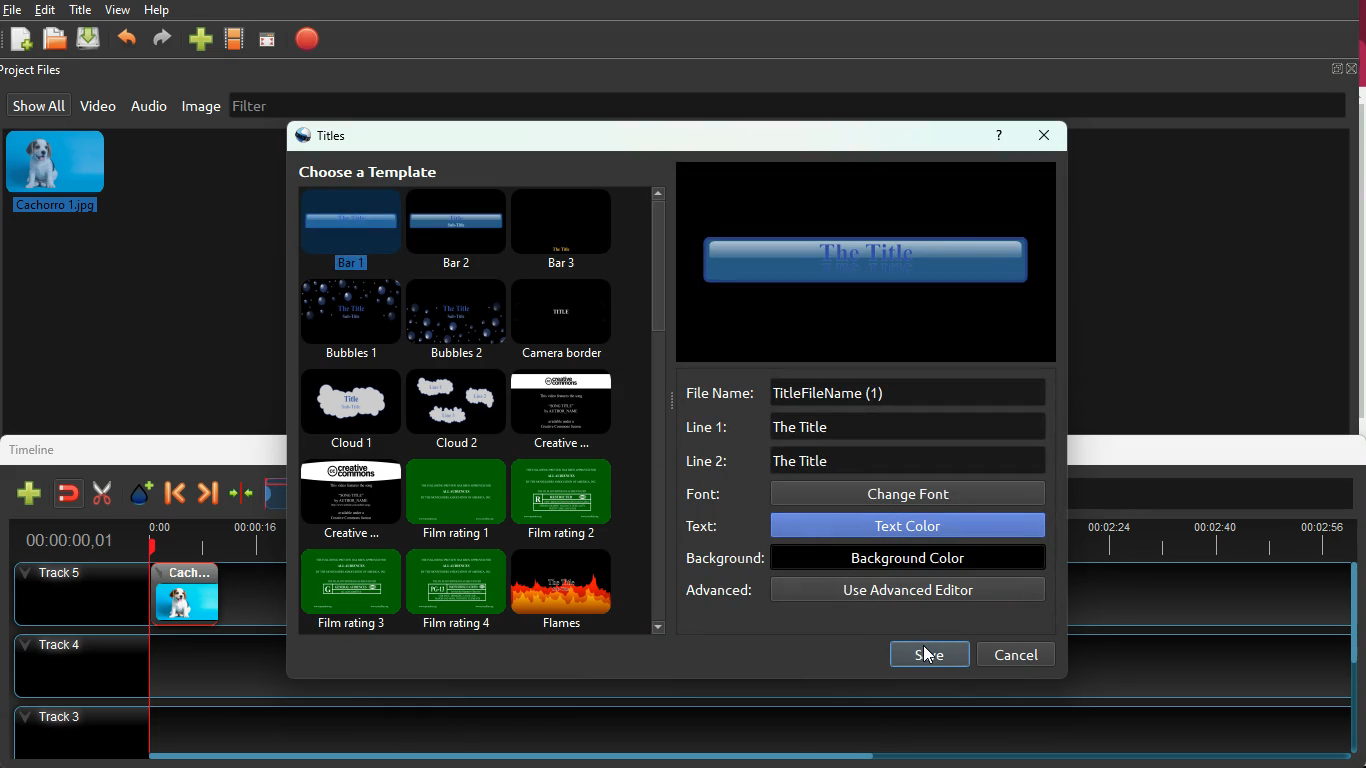 This screenshot has height=768, width=1366. I want to click on , so click(83, 667).